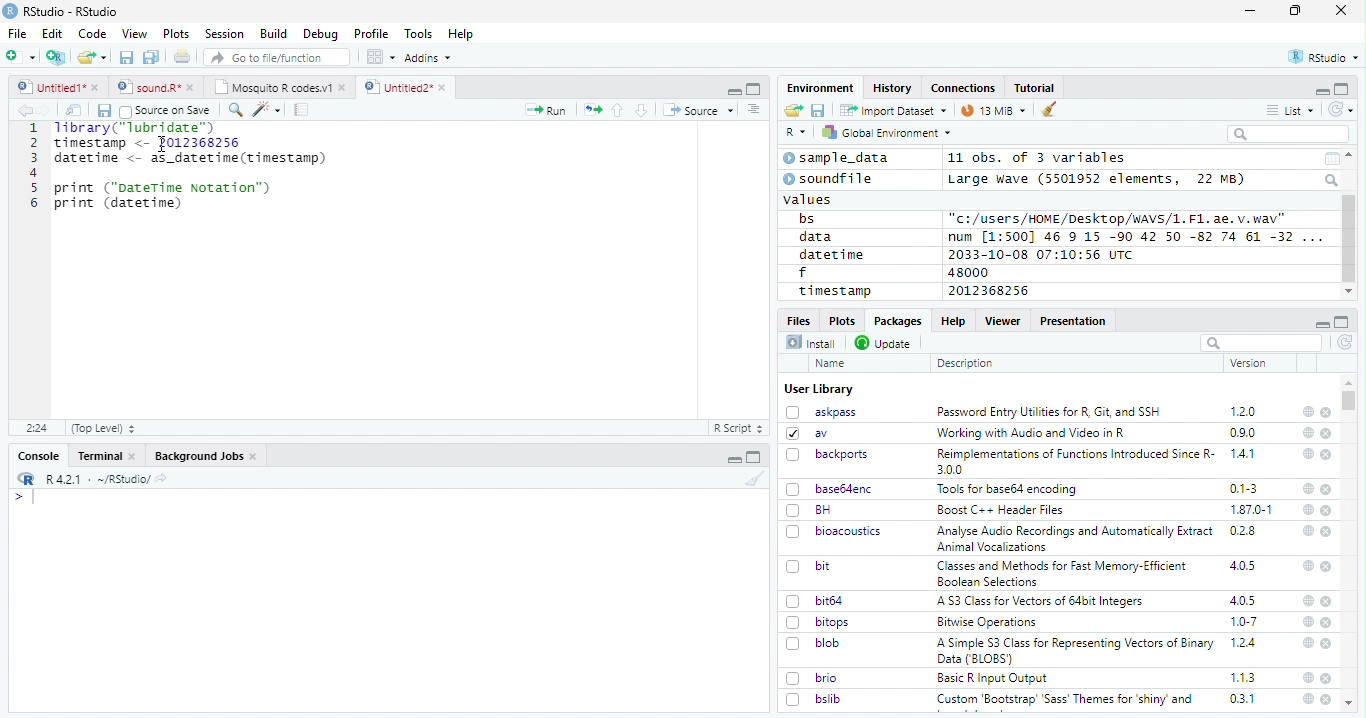  What do you see at coordinates (1308, 677) in the screenshot?
I see `help` at bounding box center [1308, 677].